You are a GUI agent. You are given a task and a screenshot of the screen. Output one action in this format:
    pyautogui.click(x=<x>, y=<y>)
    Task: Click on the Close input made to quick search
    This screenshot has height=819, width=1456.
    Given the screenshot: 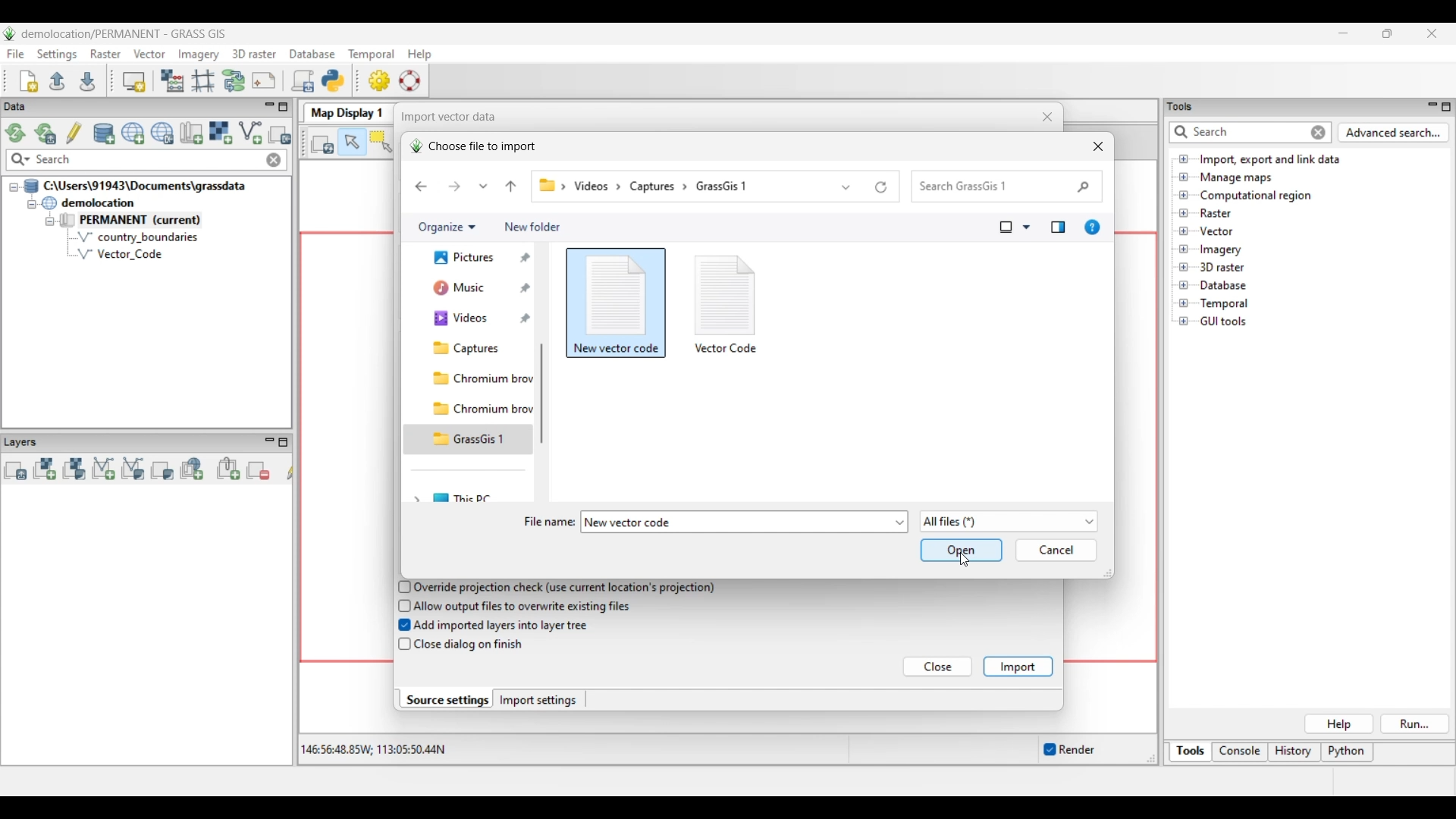 What is the action you would take?
    pyautogui.click(x=274, y=160)
    